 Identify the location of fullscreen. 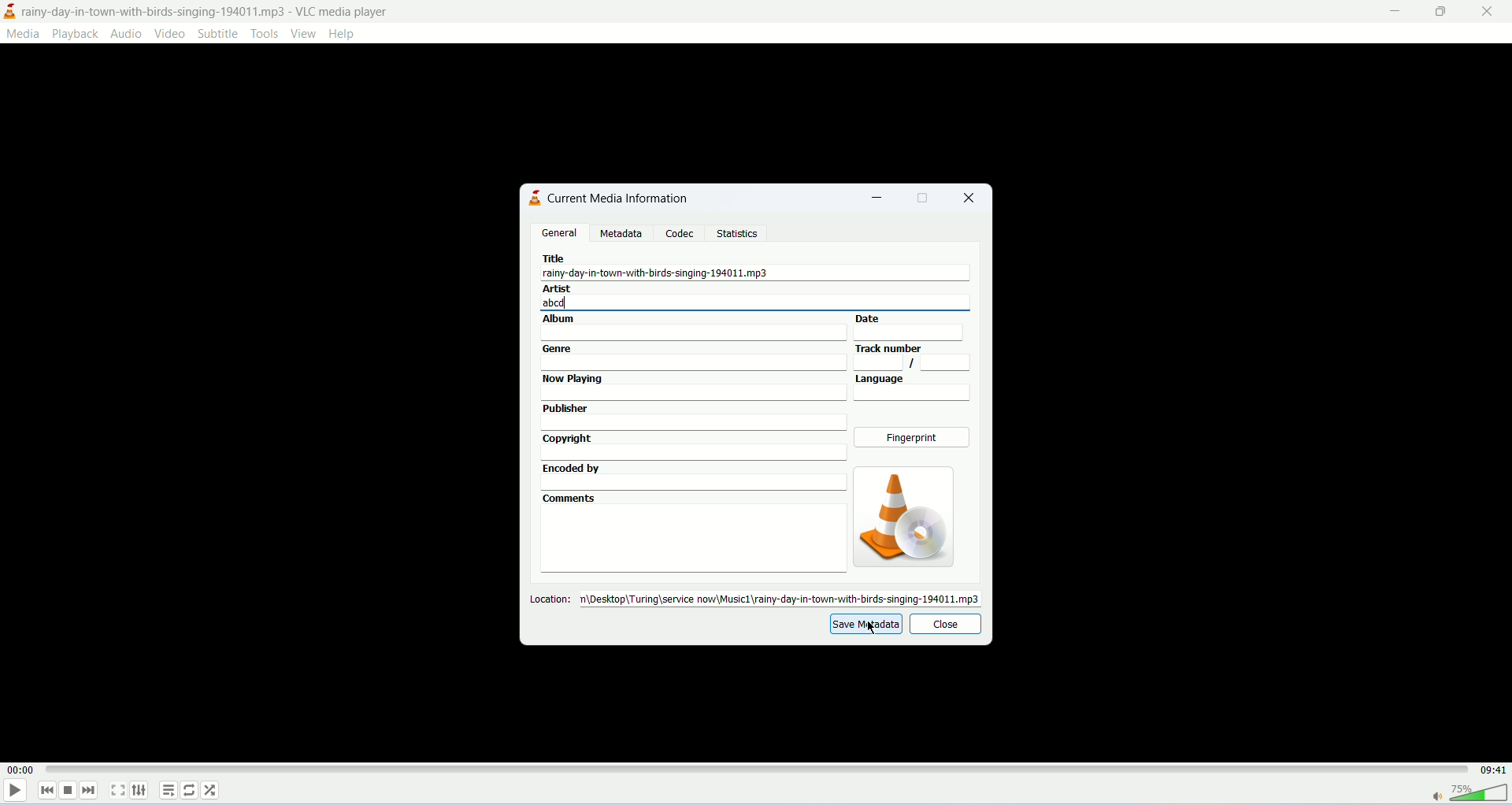
(119, 788).